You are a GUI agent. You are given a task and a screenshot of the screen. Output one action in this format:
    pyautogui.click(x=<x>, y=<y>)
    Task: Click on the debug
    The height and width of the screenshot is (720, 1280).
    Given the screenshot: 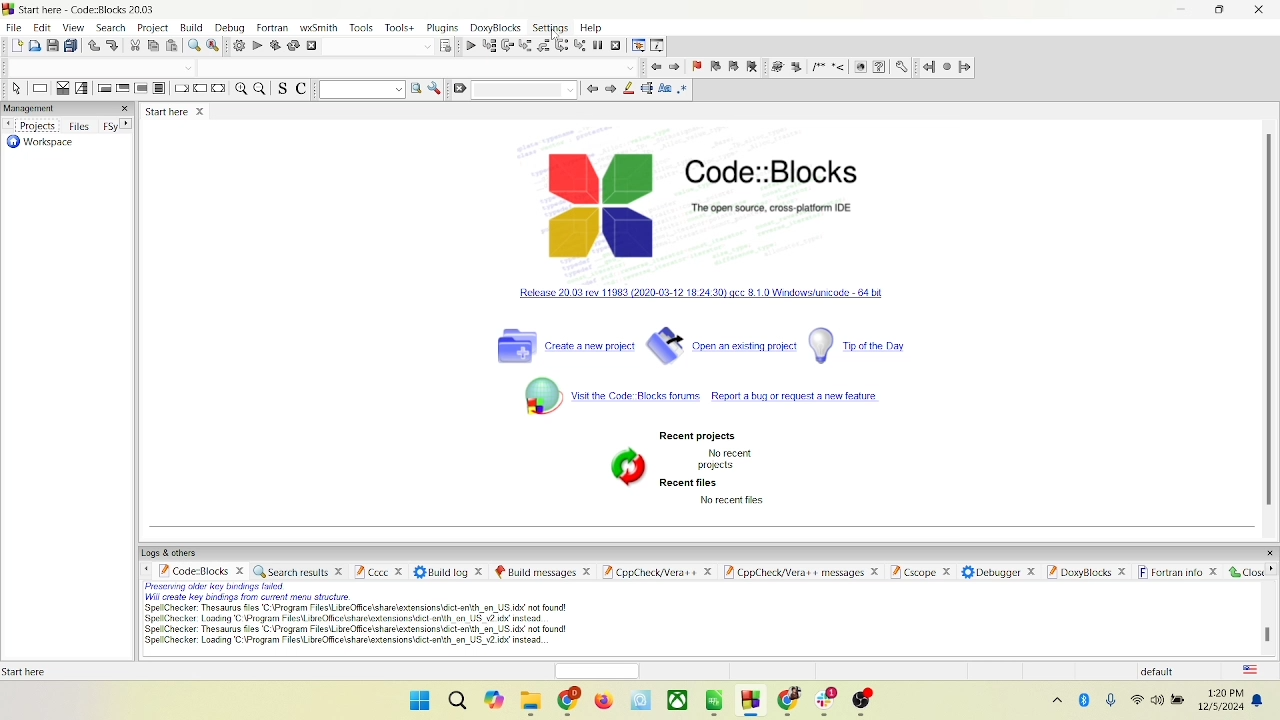 What is the action you would take?
    pyautogui.click(x=233, y=30)
    